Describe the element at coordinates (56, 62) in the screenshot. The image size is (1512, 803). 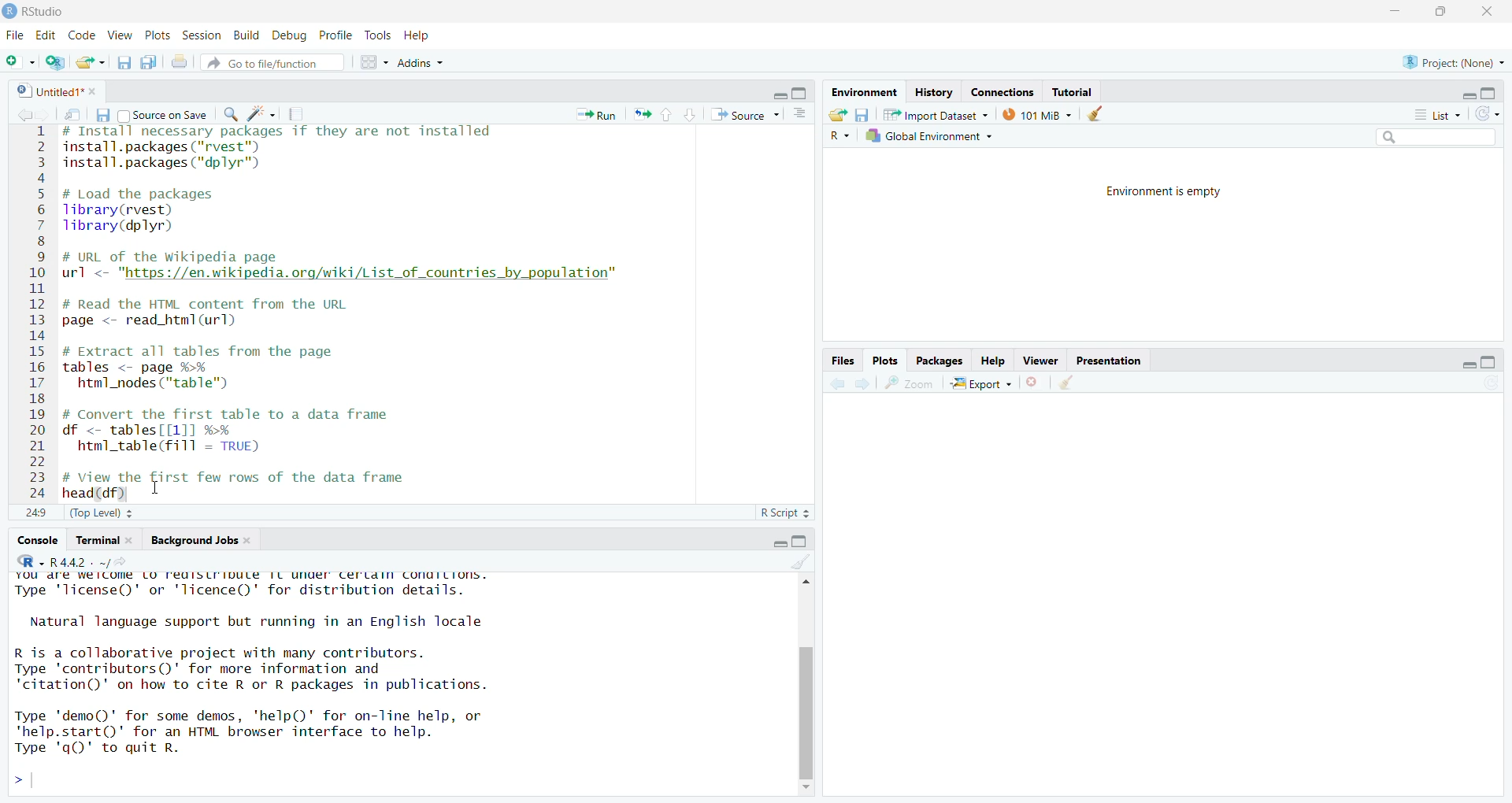
I see `New project` at that location.